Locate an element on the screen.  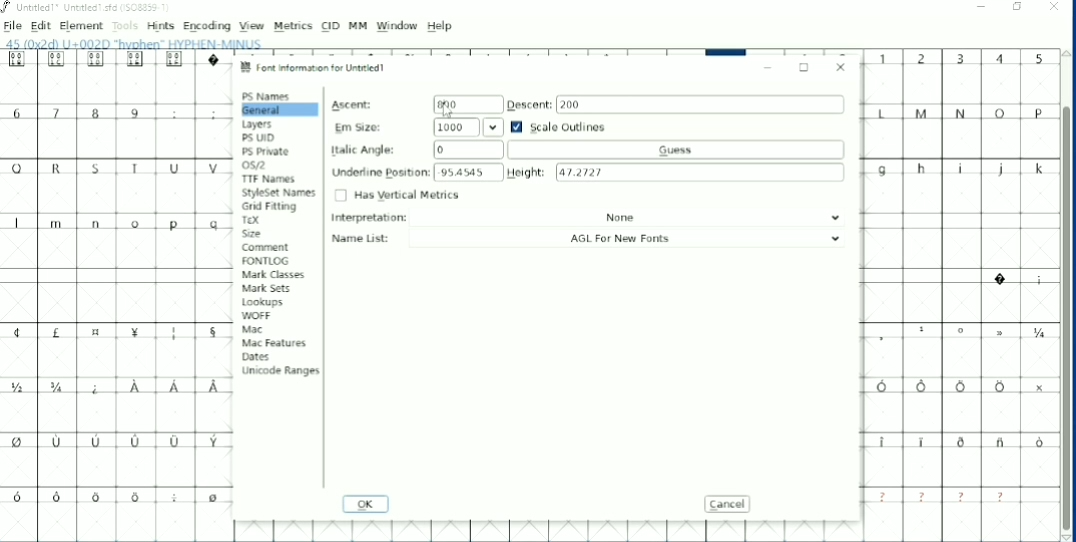
Encoding is located at coordinates (206, 26).